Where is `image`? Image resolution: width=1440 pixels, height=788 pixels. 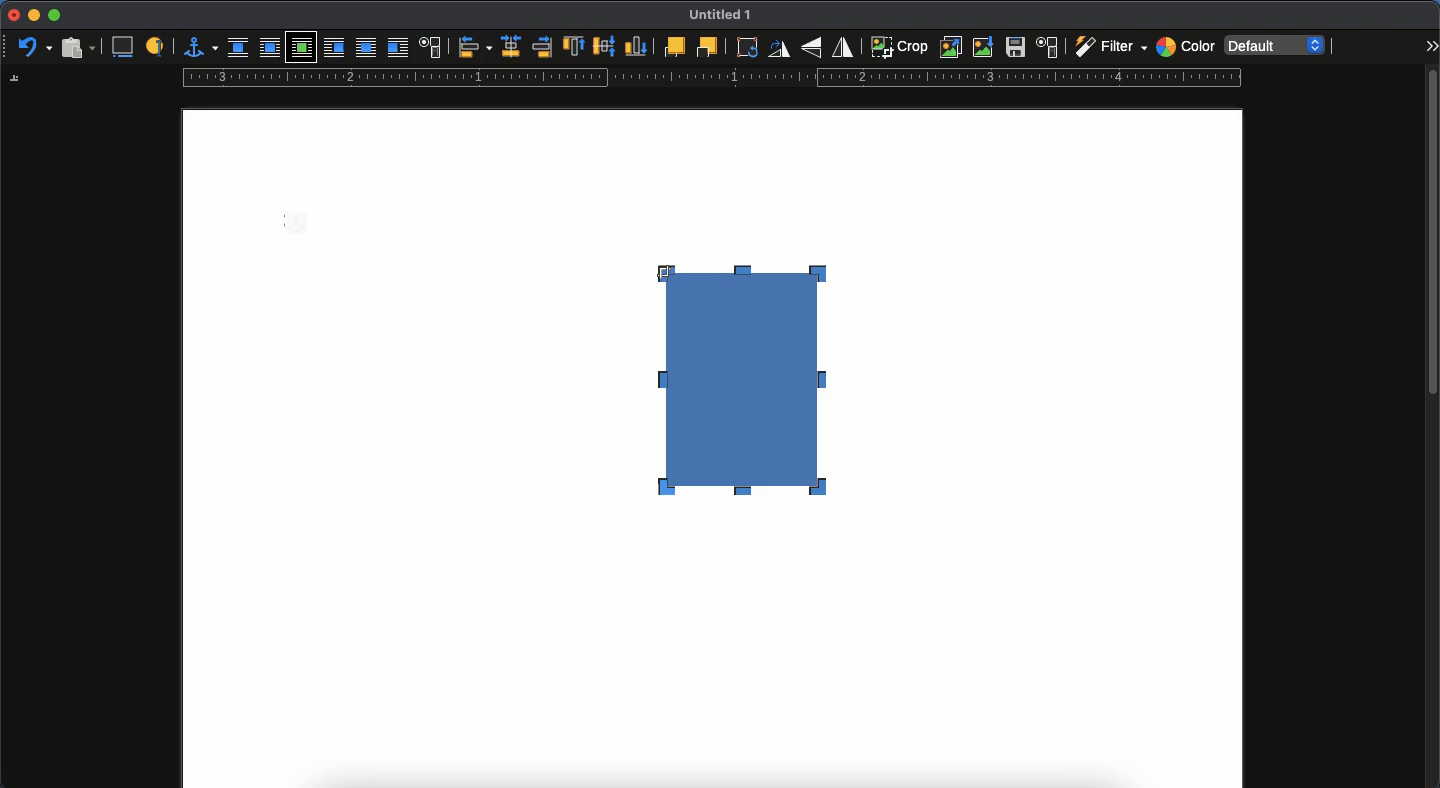 image is located at coordinates (753, 398).